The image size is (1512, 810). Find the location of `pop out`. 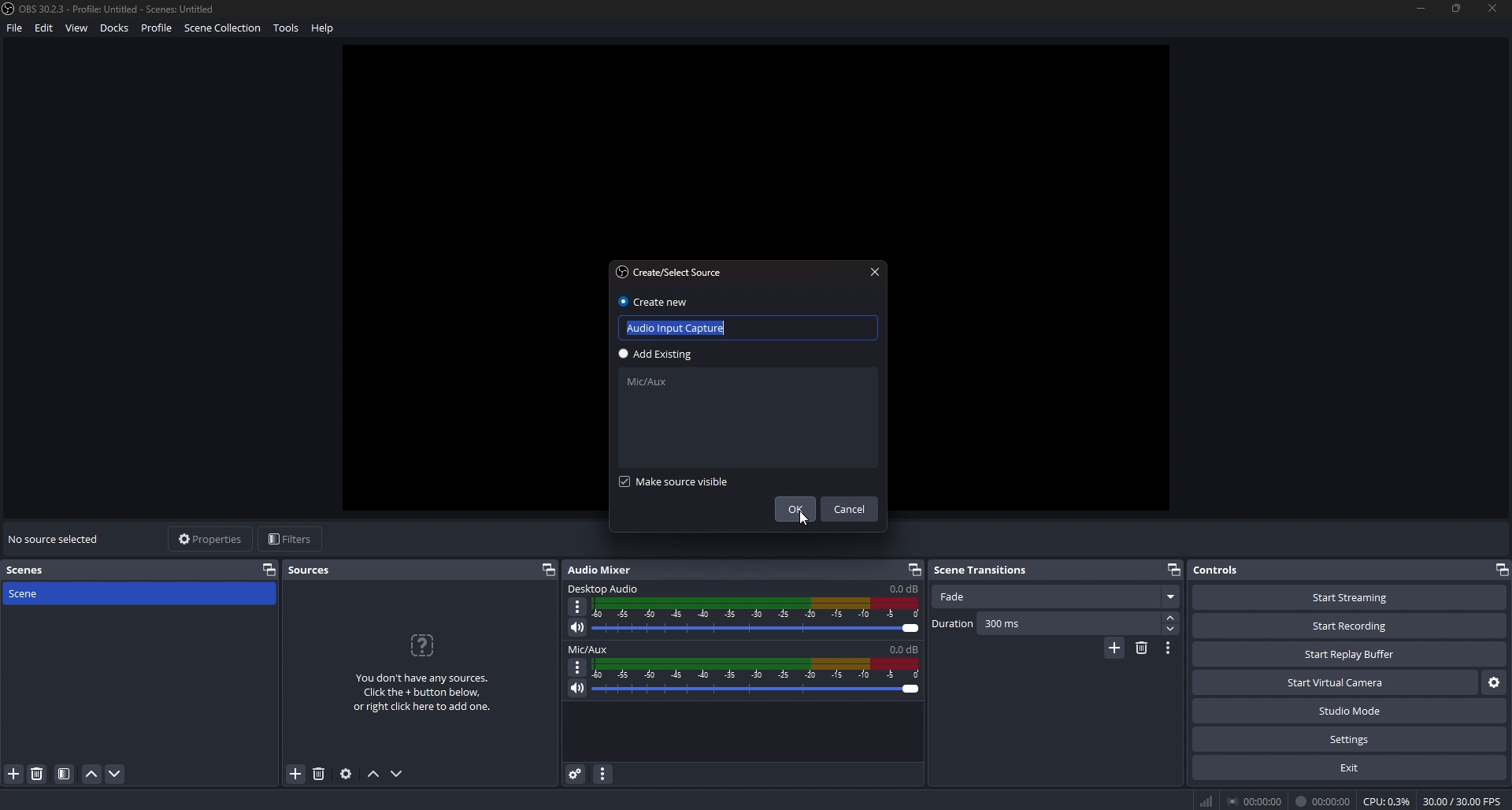

pop out is located at coordinates (269, 569).